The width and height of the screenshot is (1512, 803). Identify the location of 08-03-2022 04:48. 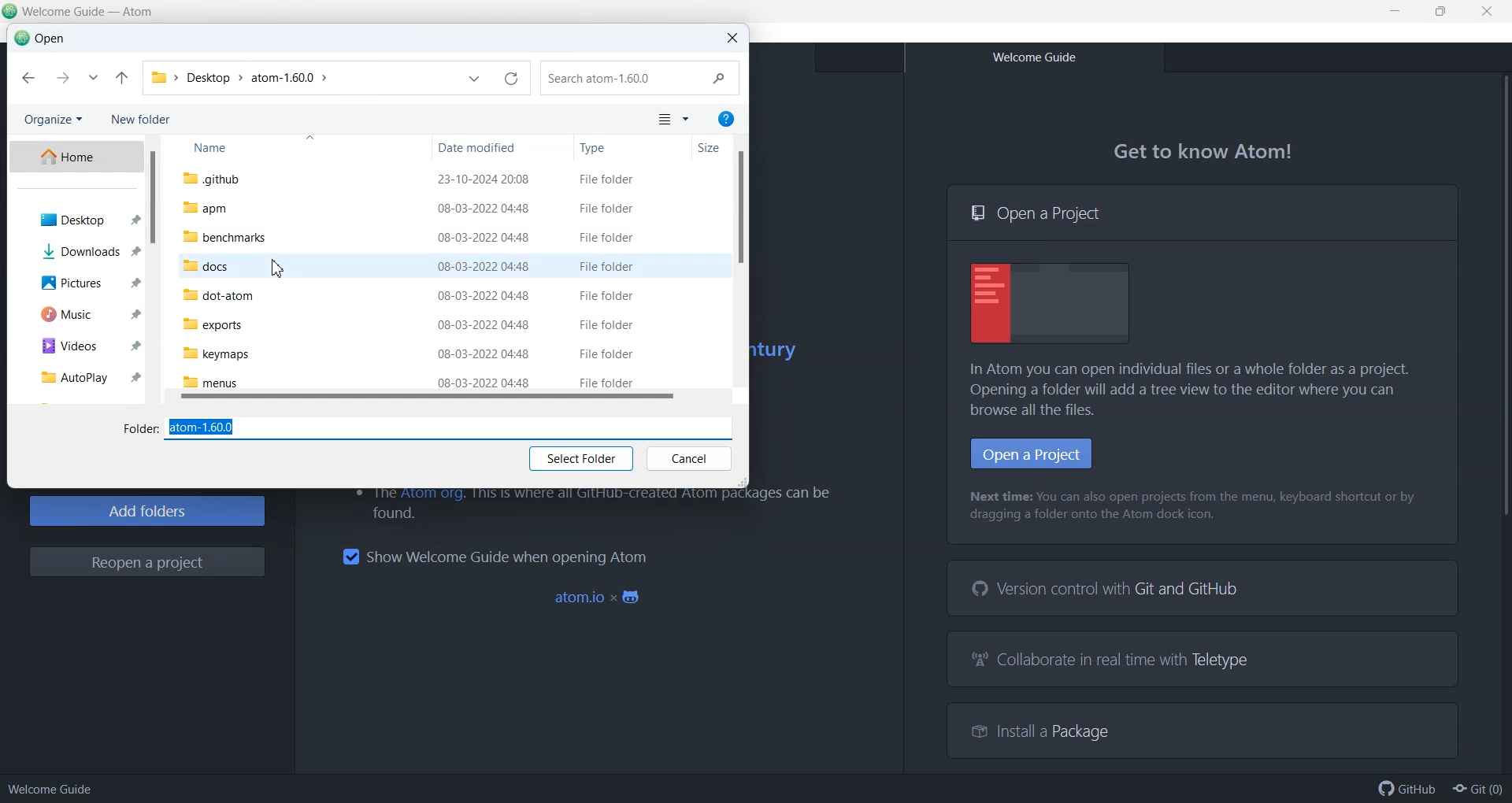
(484, 354).